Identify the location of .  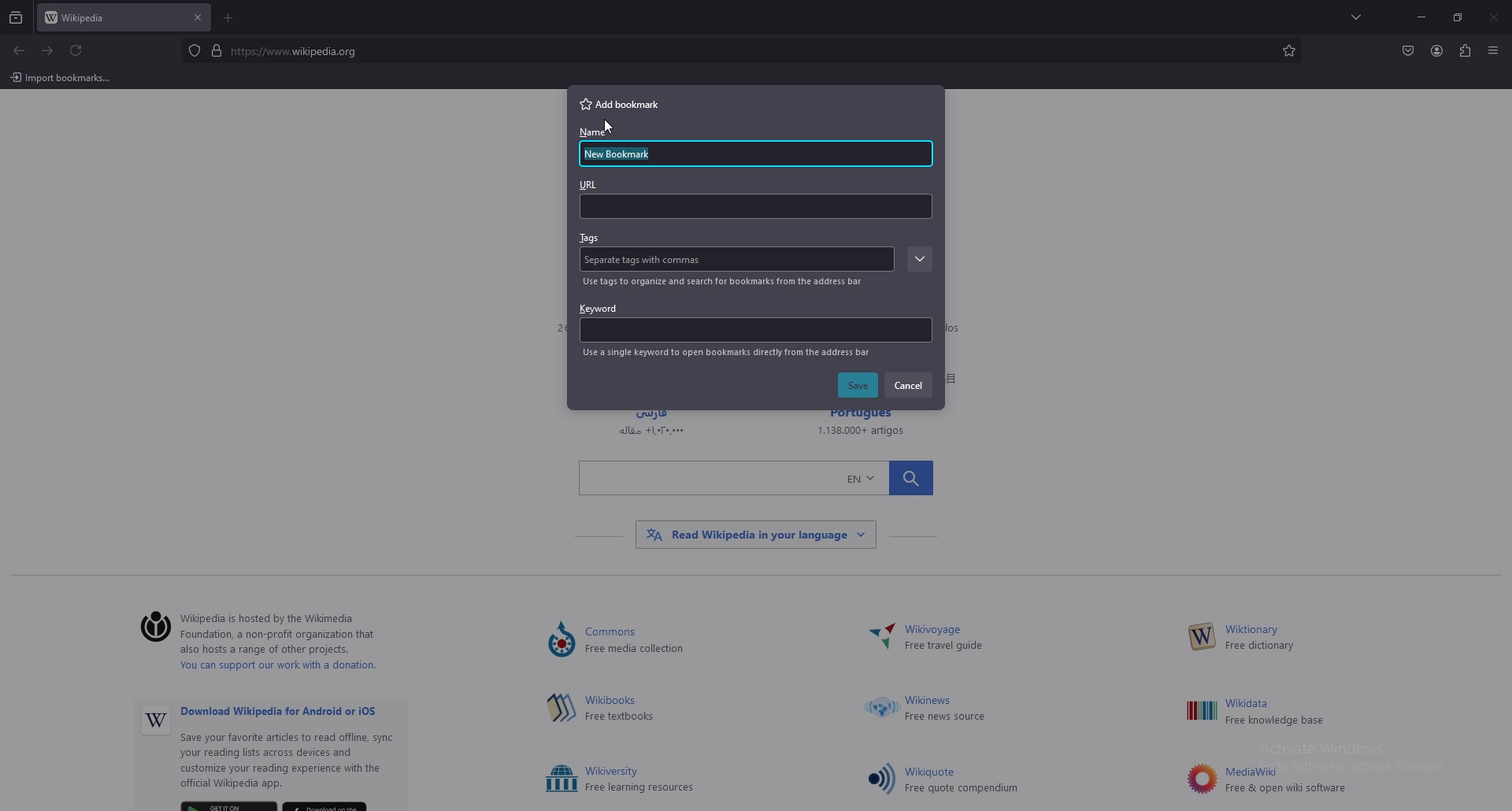
(882, 709).